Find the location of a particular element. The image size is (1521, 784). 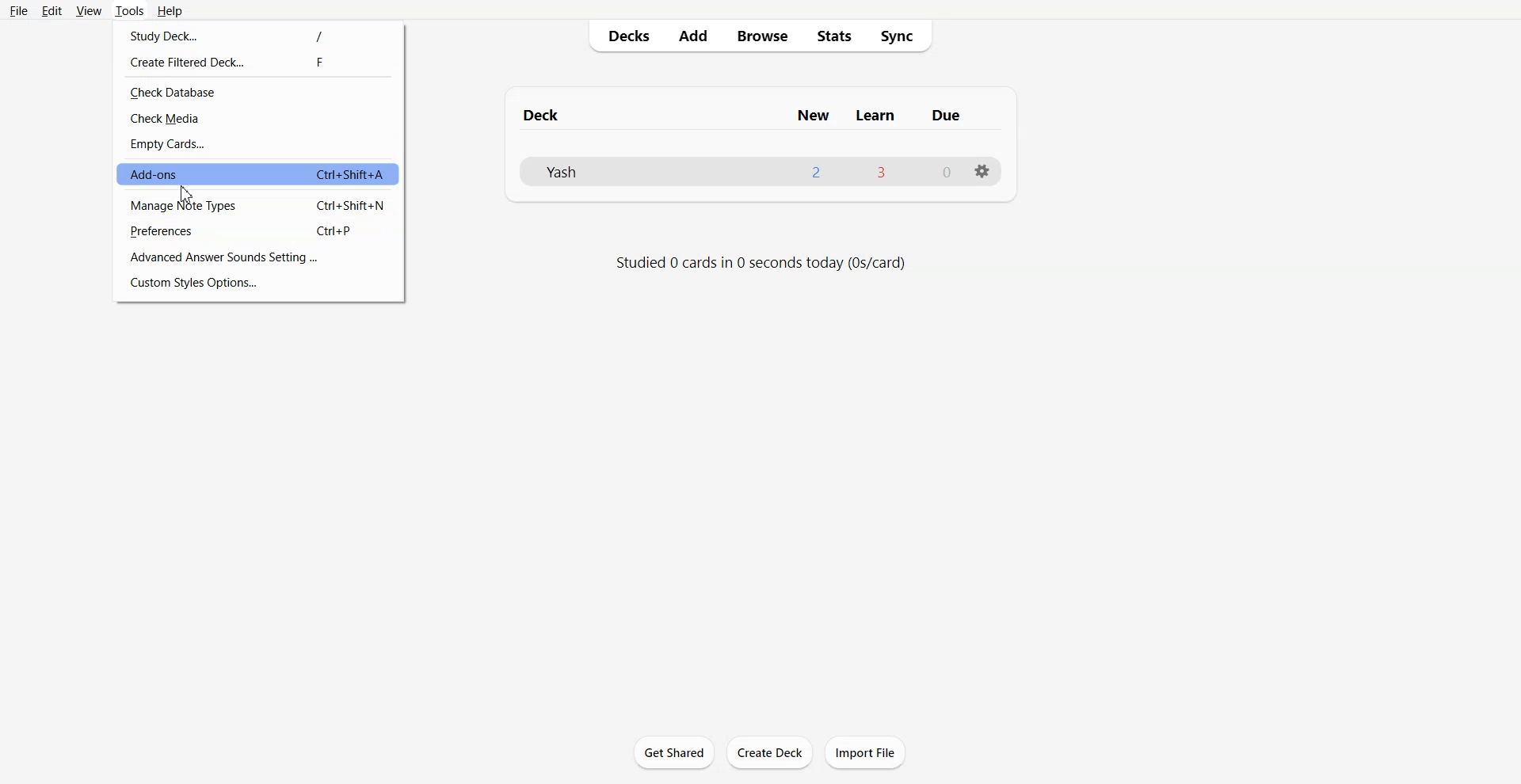

Help is located at coordinates (170, 10).